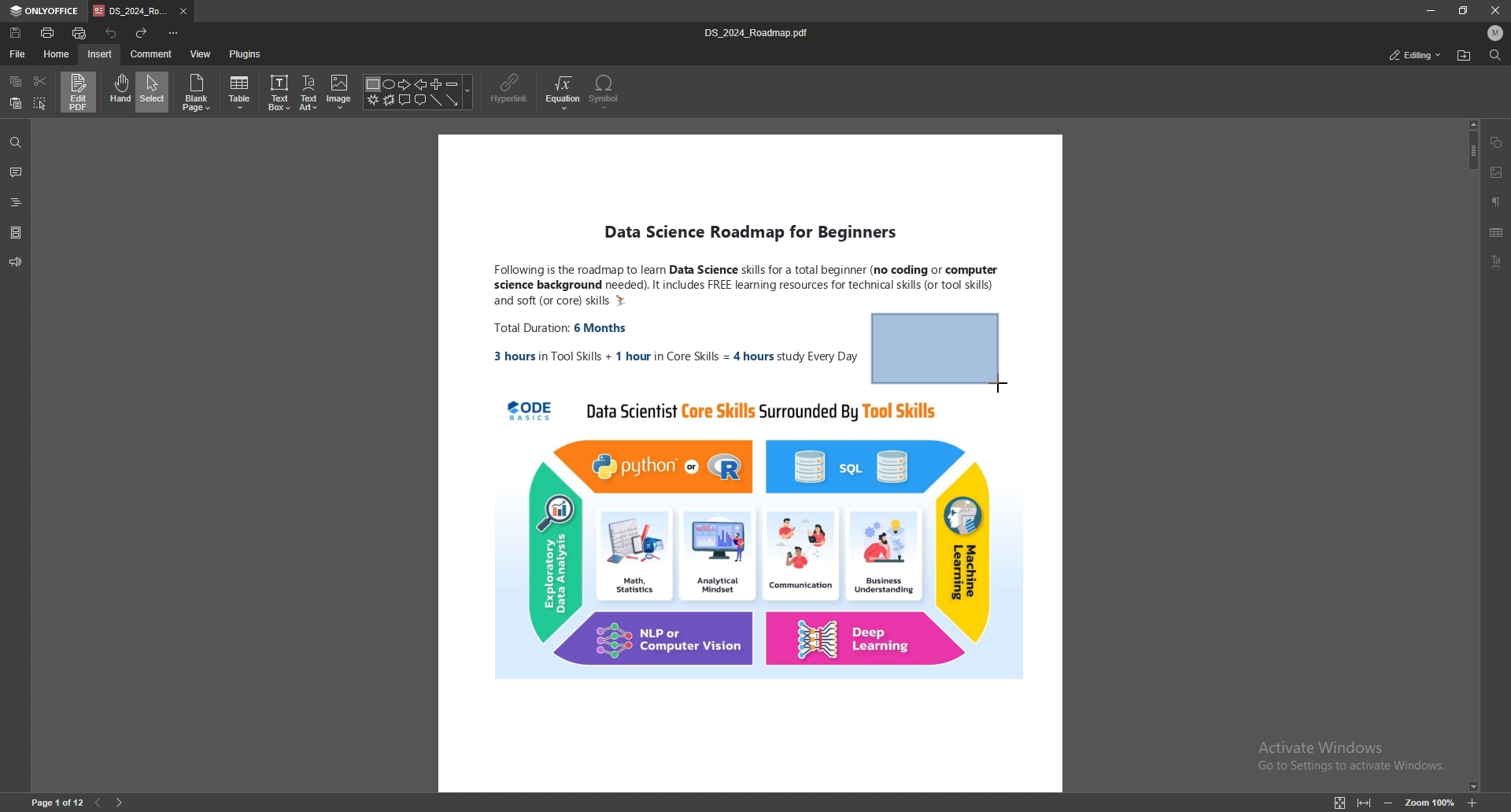  What do you see at coordinates (1429, 10) in the screenshot?
I see `minimize` at bounding box center [1429, 10].